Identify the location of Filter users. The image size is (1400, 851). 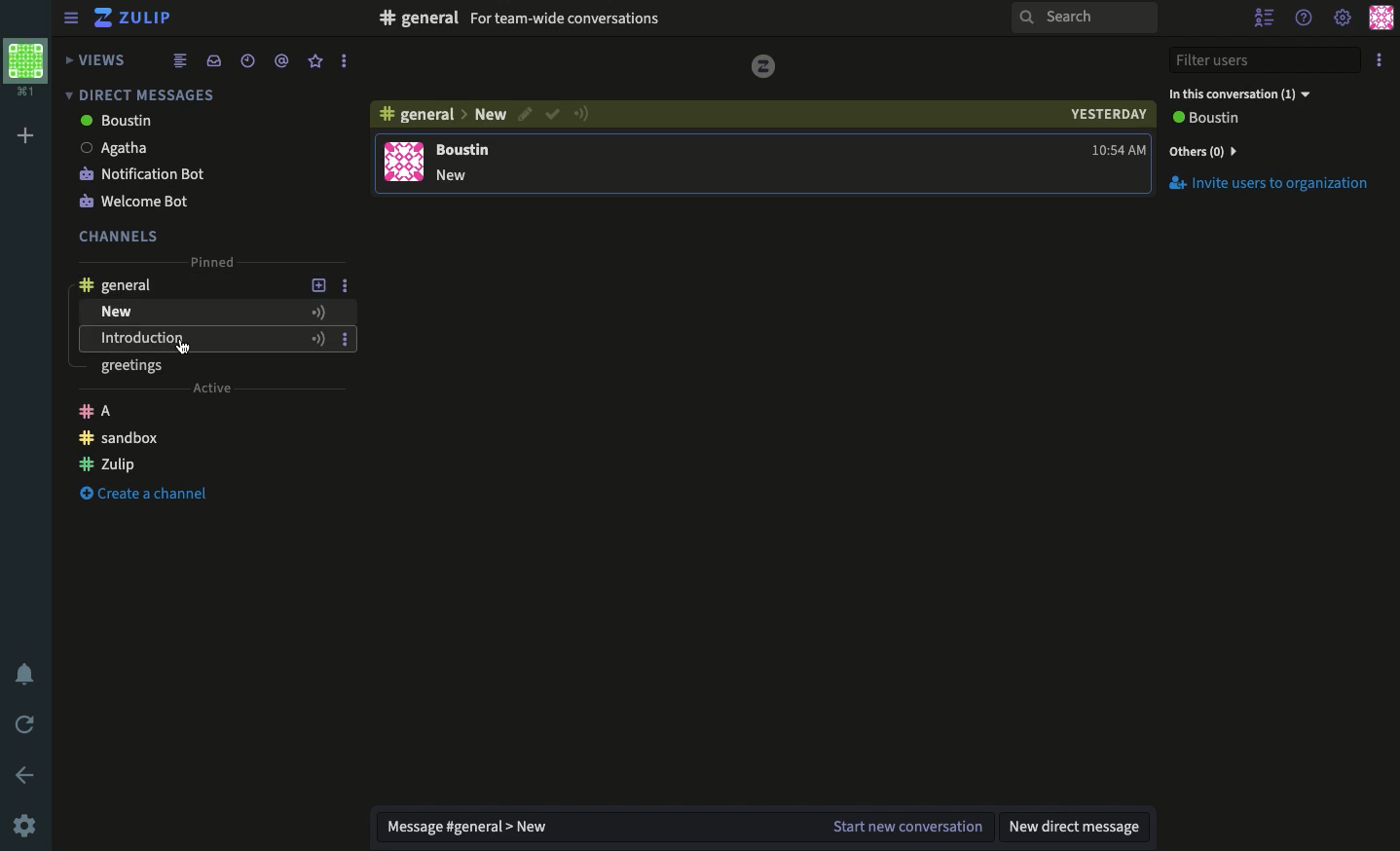
(1266, 61).